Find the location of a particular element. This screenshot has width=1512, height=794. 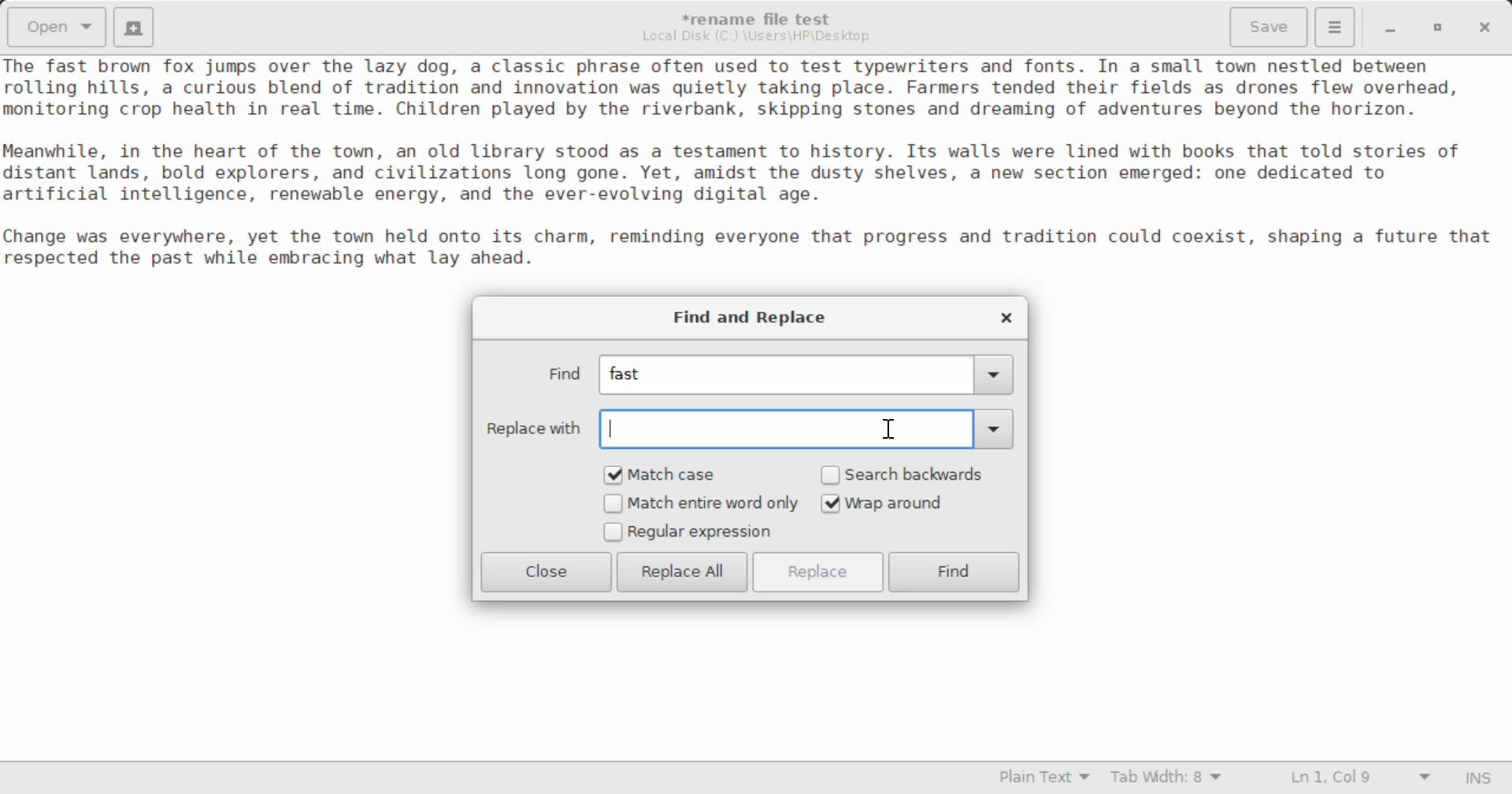

Open Document is located at coordinates (54, 27).